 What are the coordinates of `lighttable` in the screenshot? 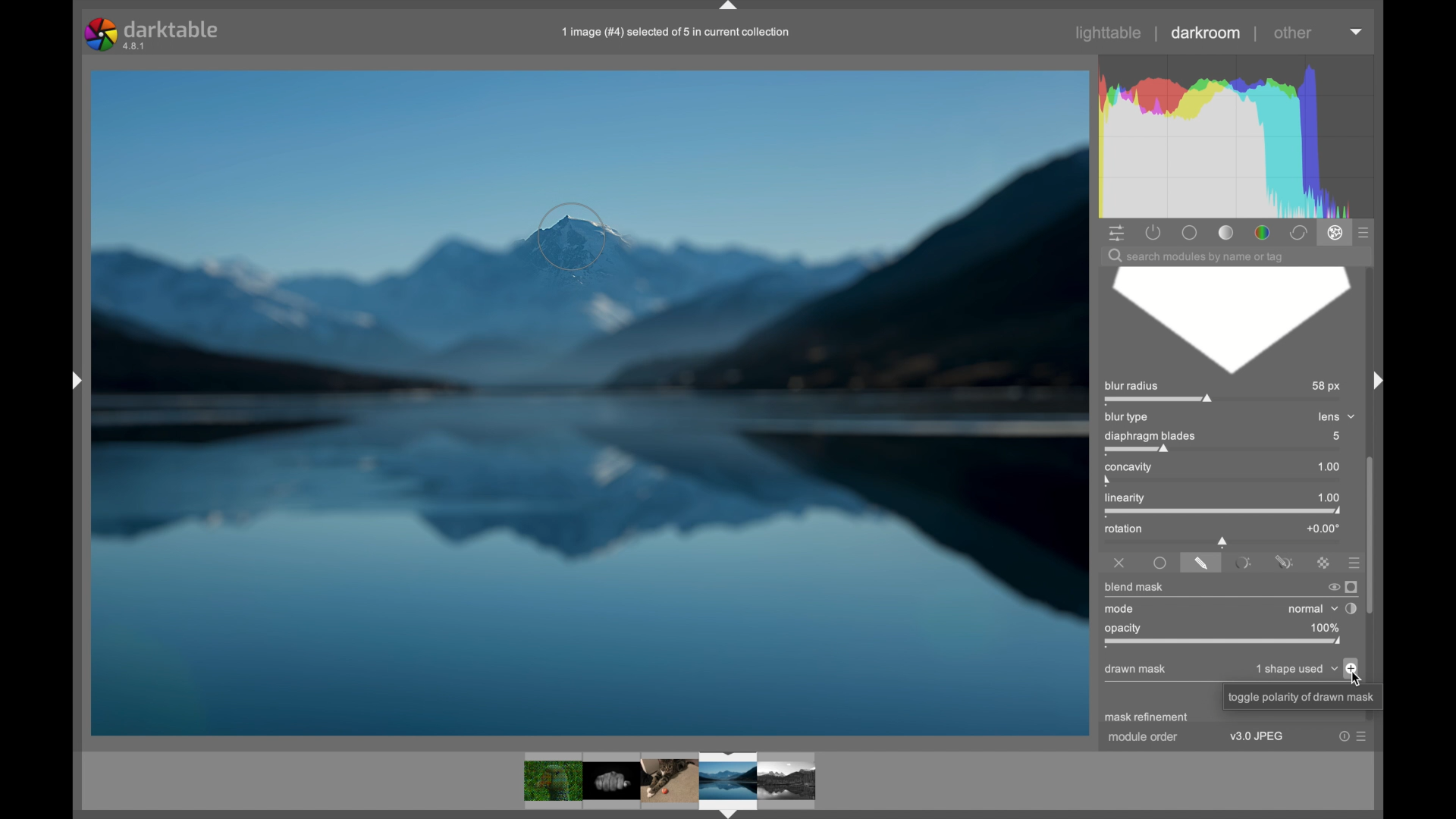 It's located at (1110, 33).